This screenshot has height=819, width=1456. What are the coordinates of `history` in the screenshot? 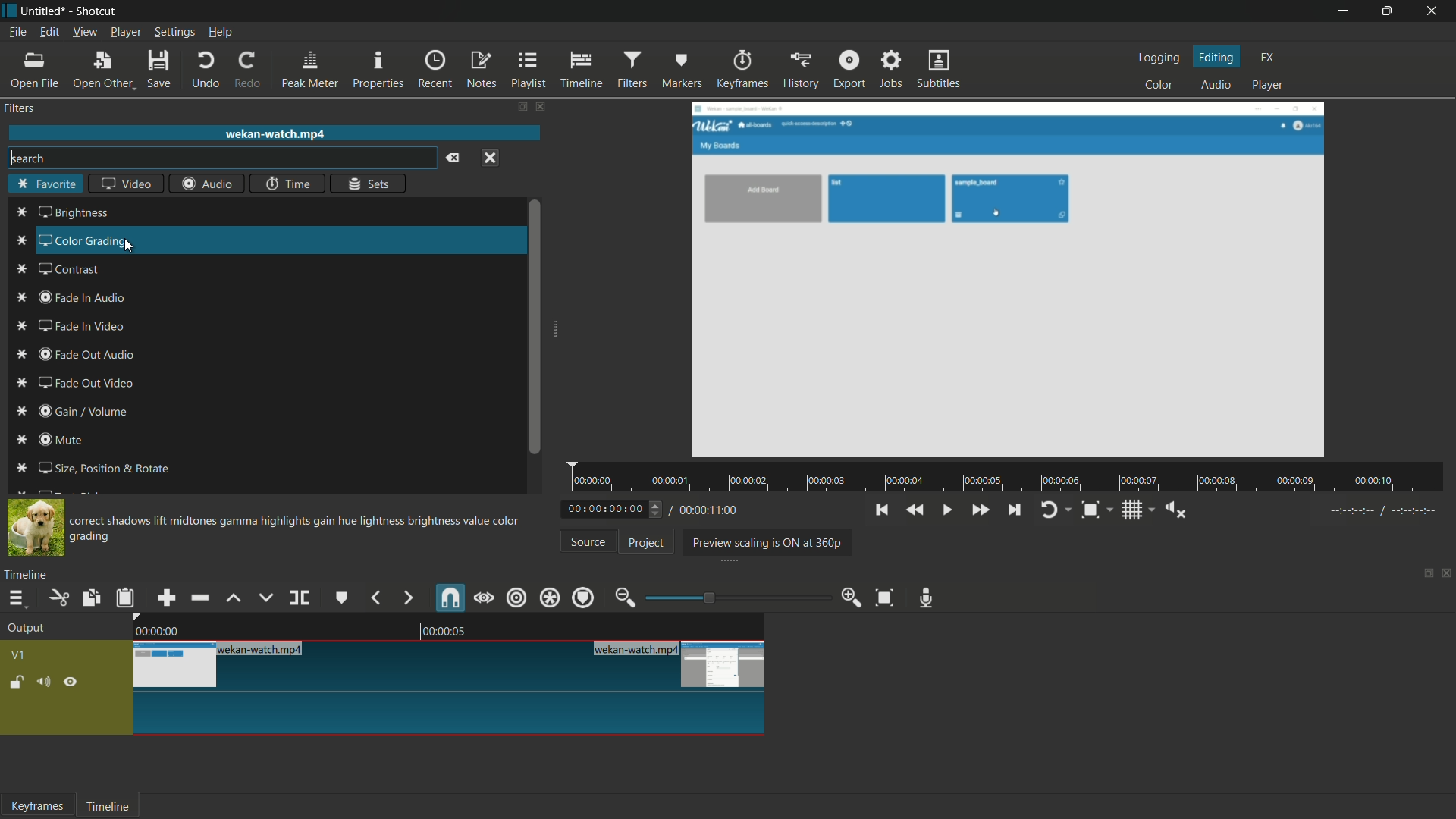 It's located at (799, 71).